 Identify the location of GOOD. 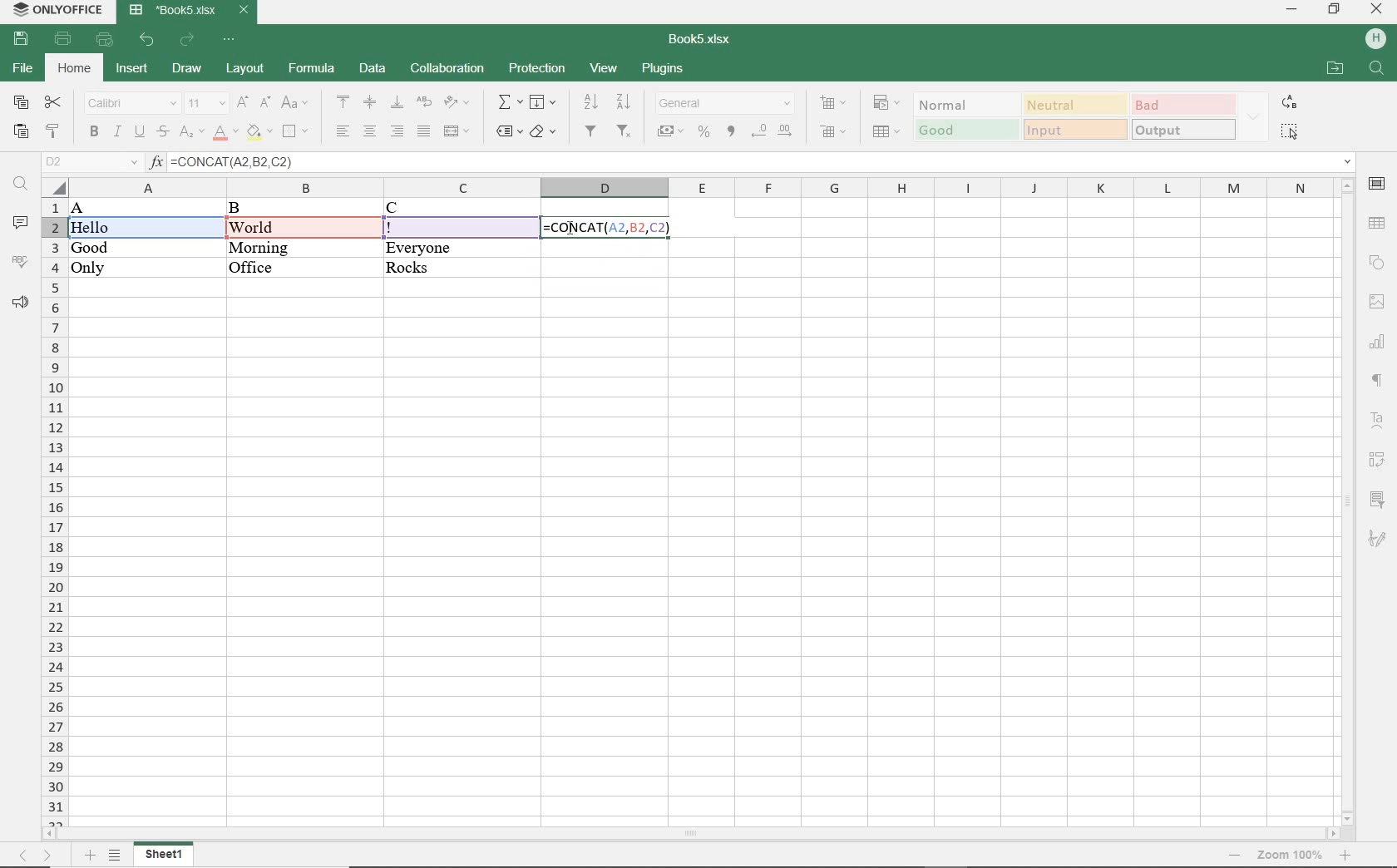
(964, 129).